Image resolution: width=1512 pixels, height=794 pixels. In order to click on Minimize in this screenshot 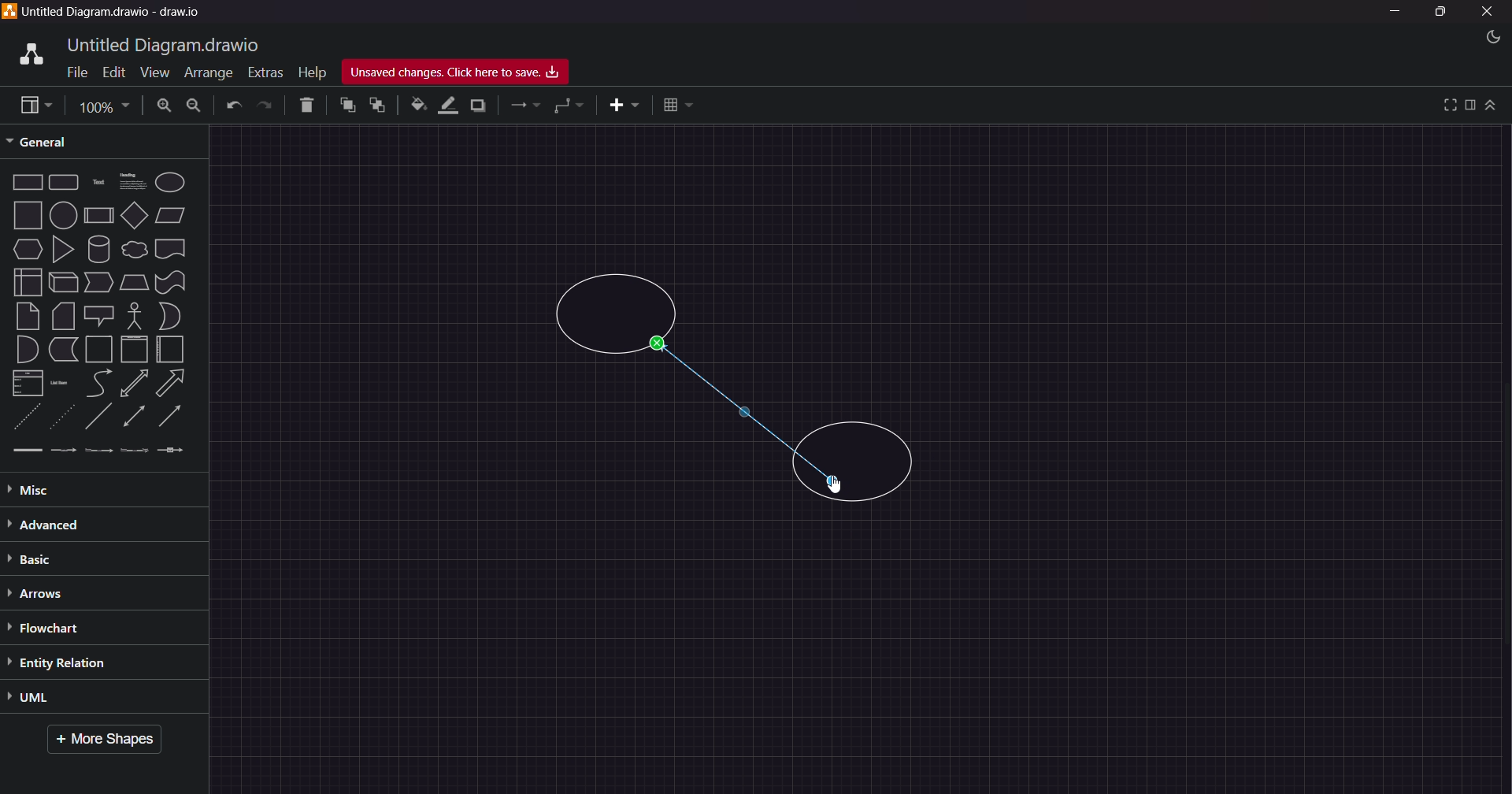, I will do `click(1399, 13)`.